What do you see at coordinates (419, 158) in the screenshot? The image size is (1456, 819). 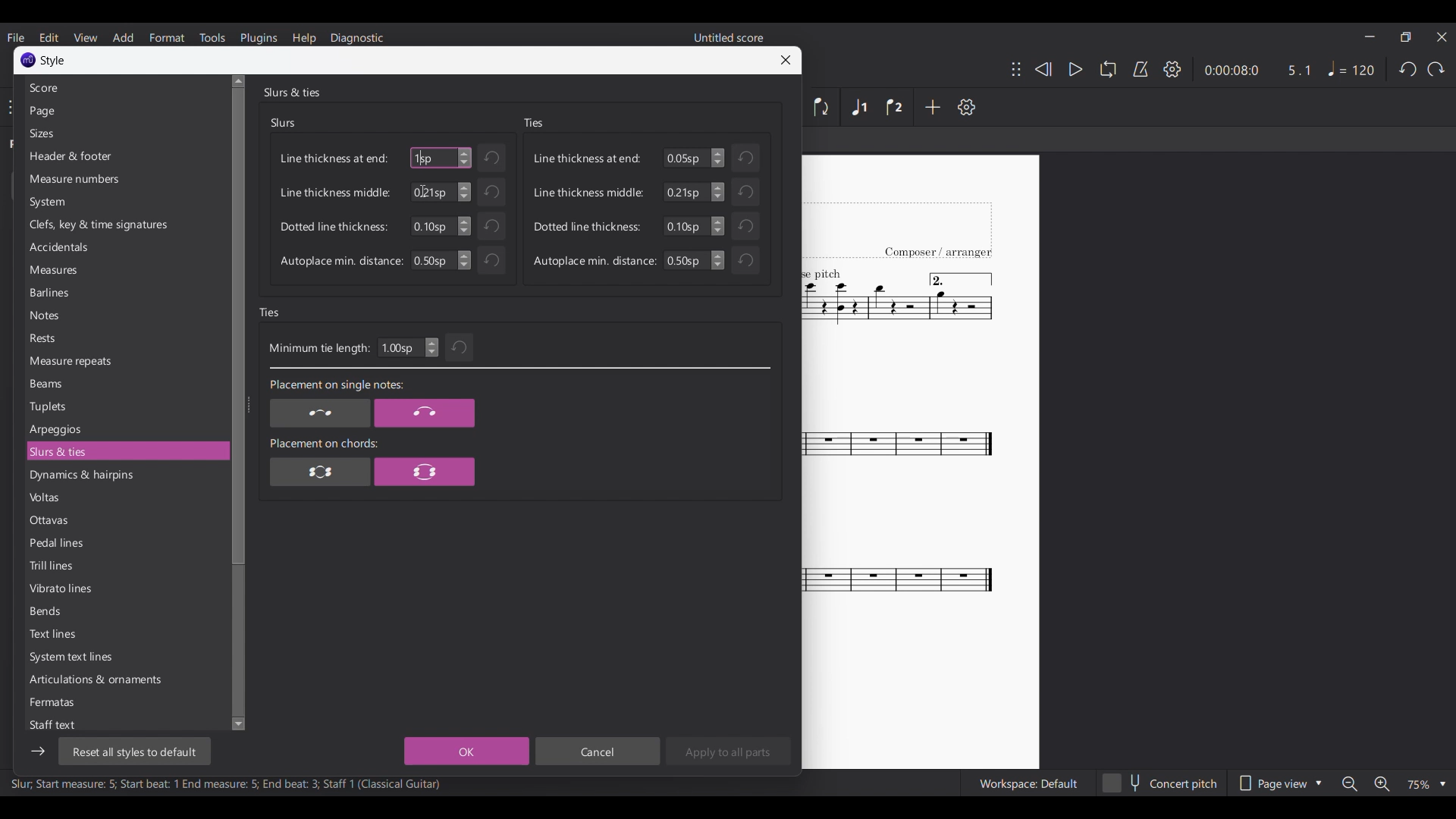 I see `1` at bounding box center [419, 158].